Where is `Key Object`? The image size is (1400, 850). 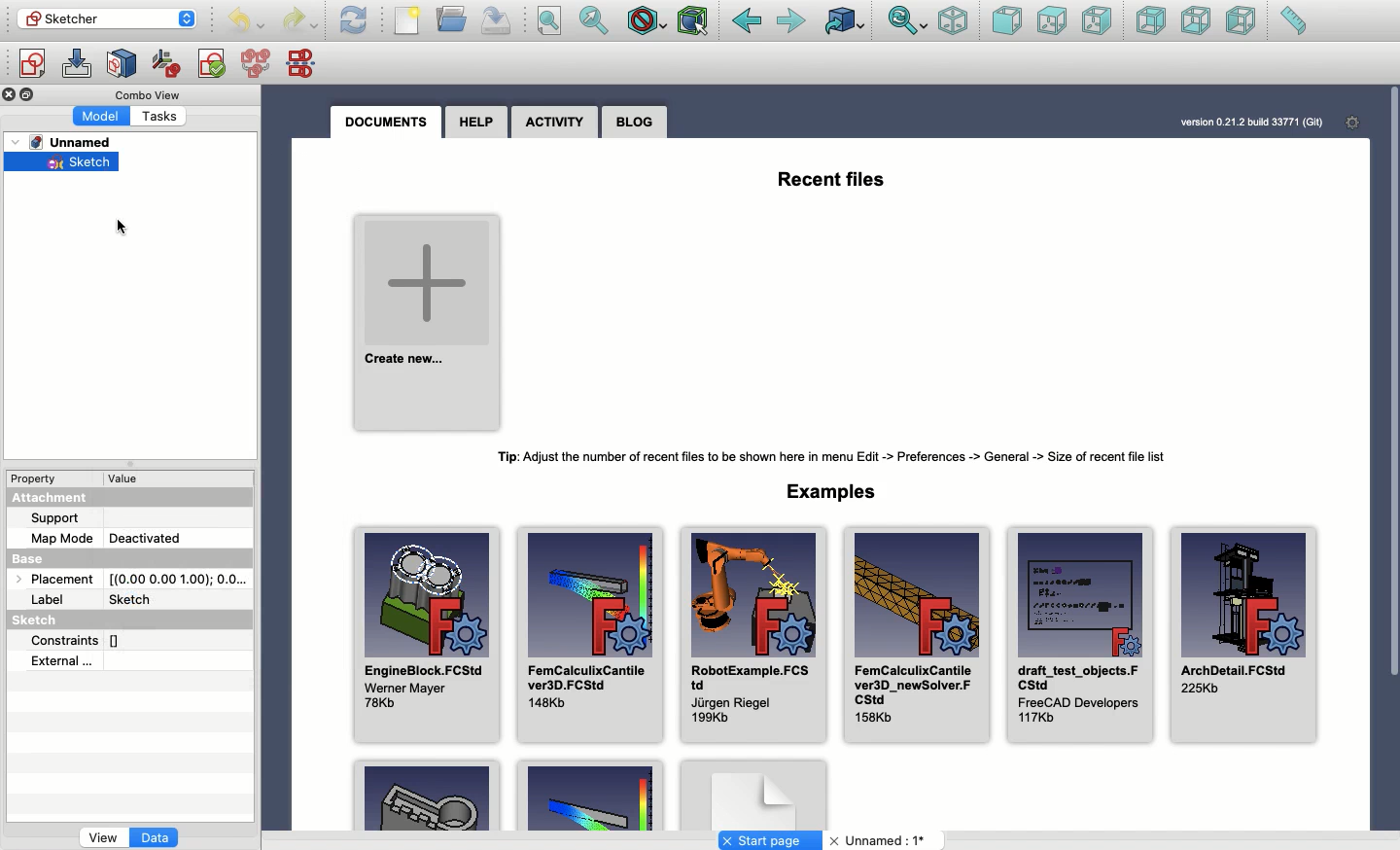
Key Object is located at coordinates (427, 794).